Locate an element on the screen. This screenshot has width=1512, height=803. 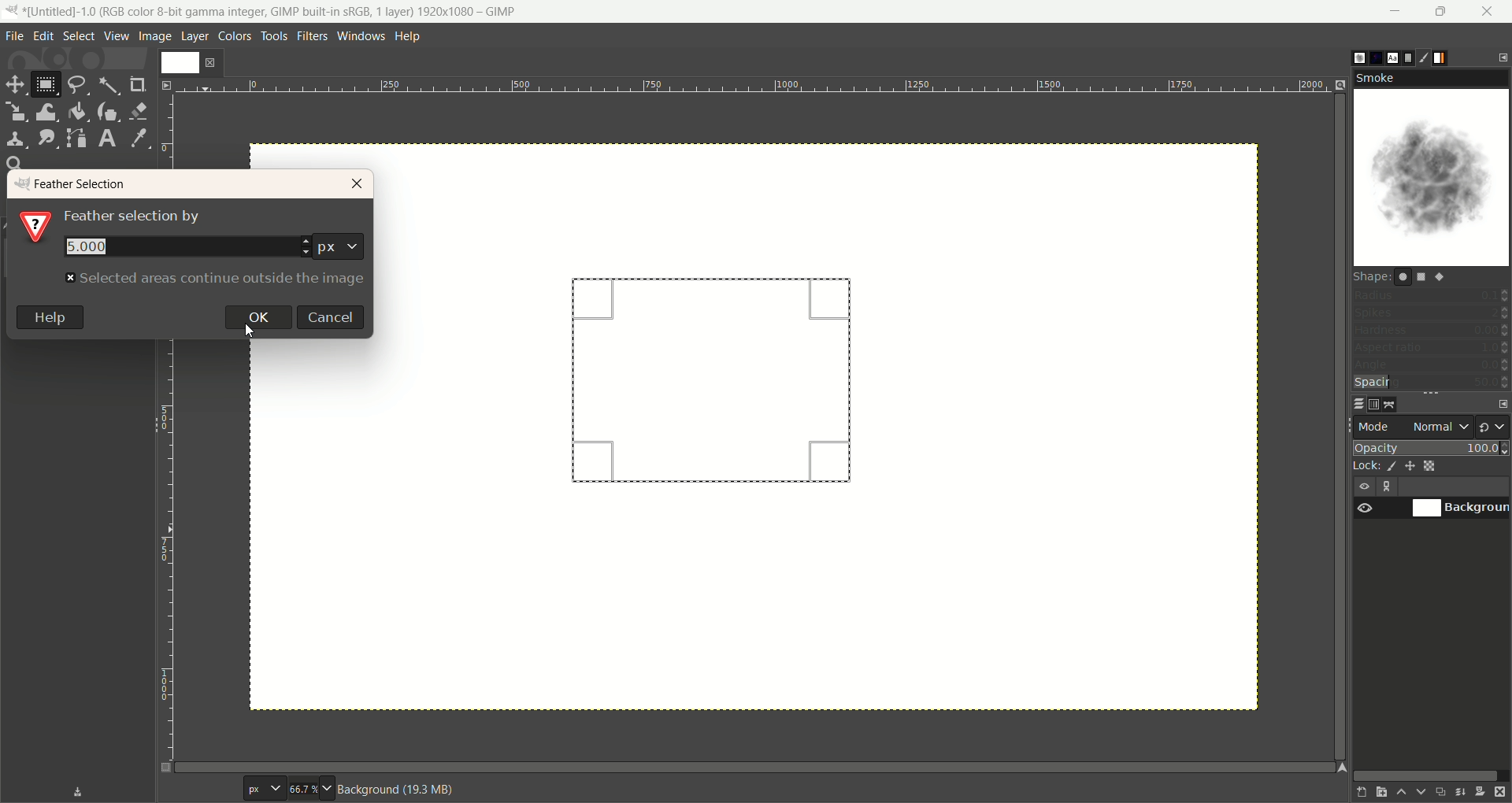
angle is located at coordinates (1432, 367).